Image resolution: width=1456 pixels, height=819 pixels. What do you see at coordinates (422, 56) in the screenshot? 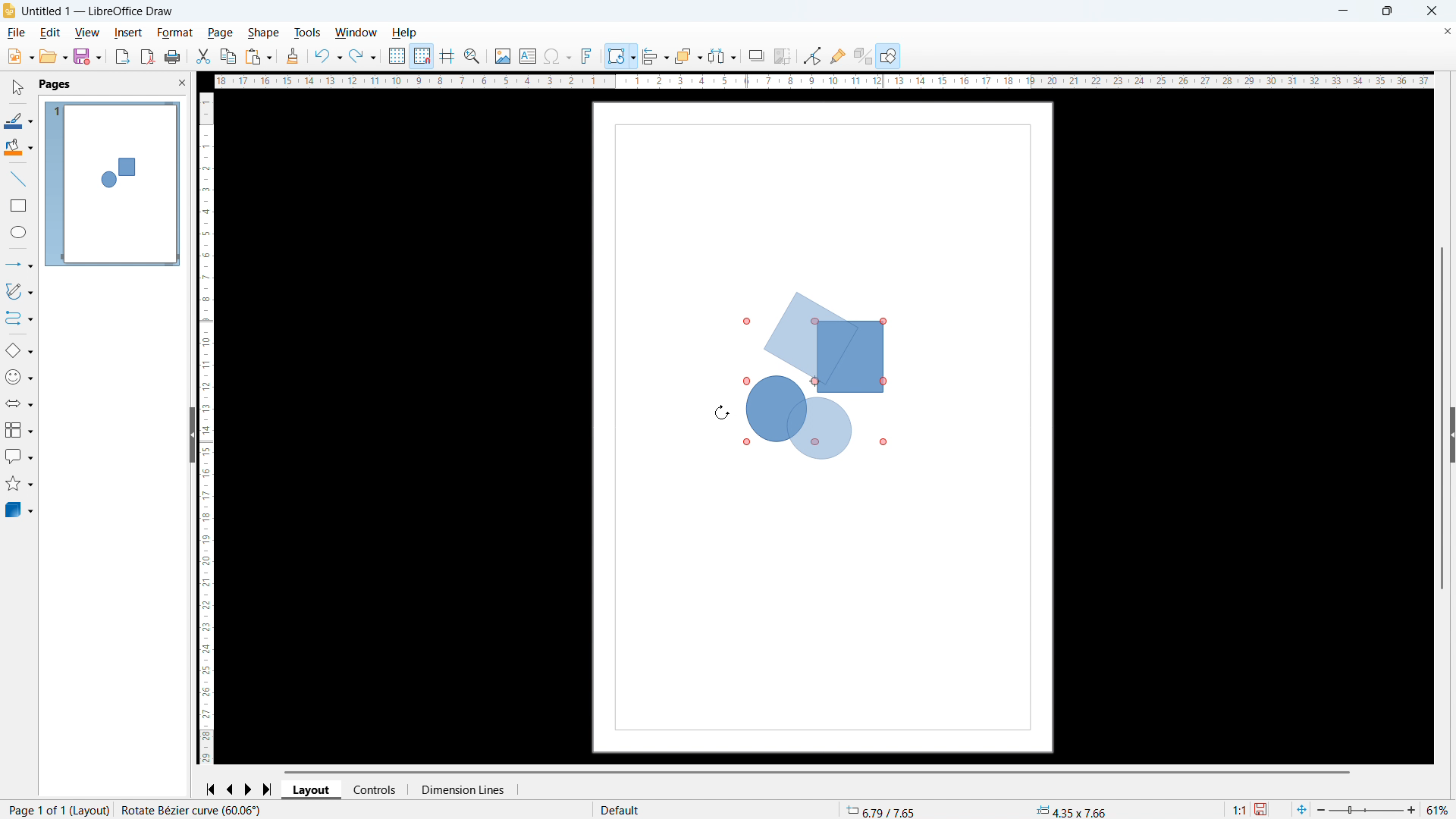
I see `Snap to grid ` at bounding box center [422, 56].